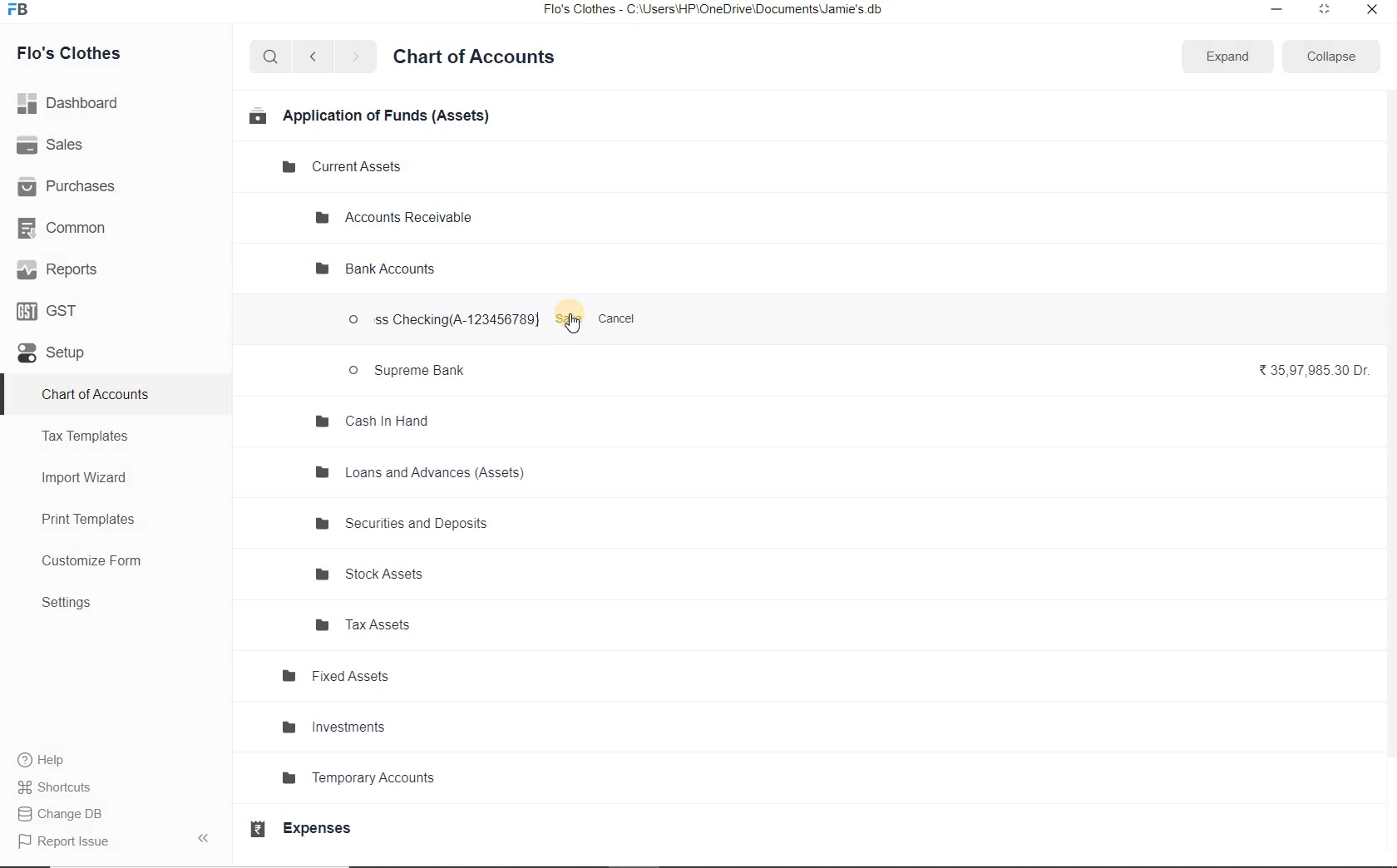  I want to click on Shortcuts, so click(55, 784).